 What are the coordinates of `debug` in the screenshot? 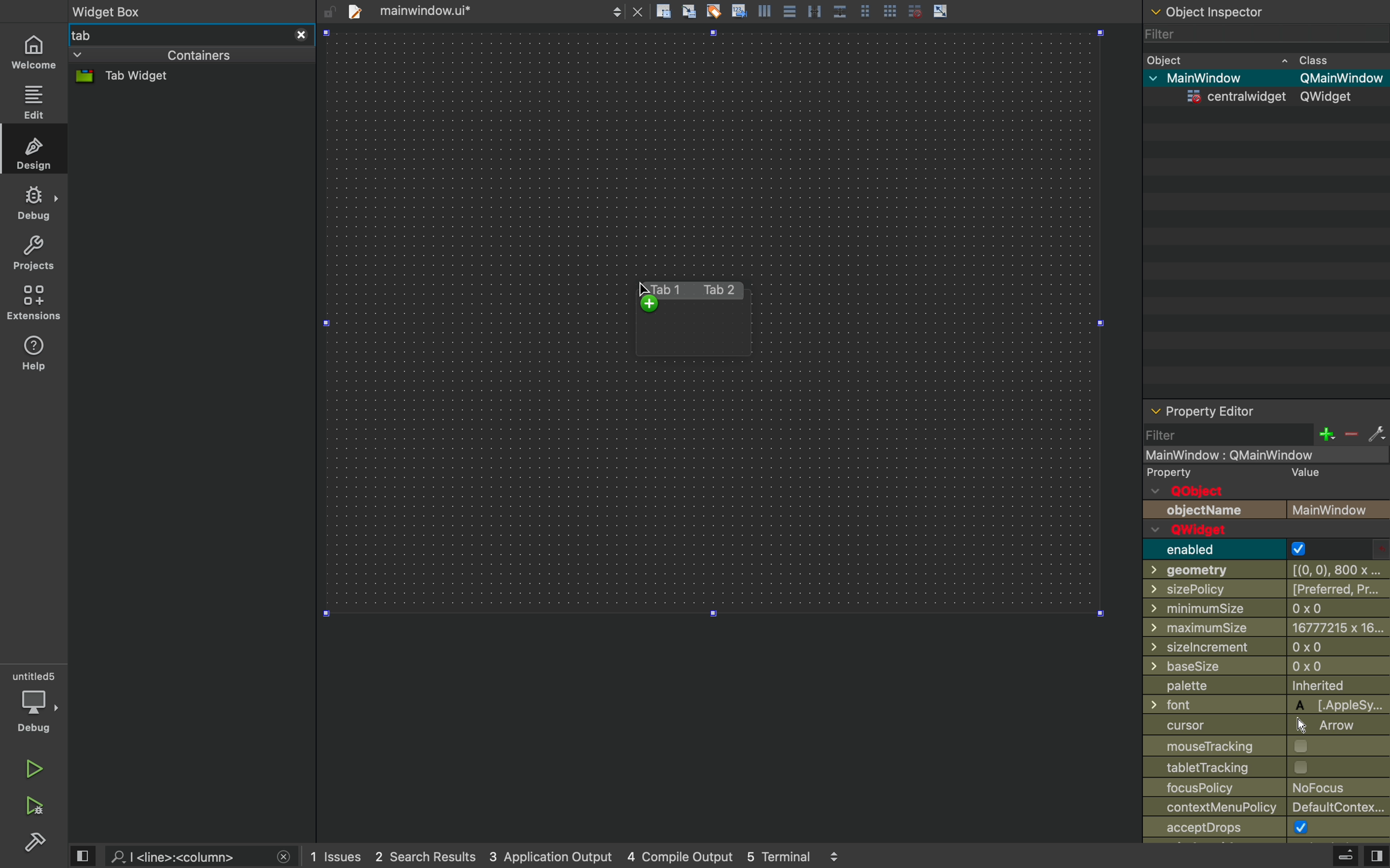 It's located at (33, 204).